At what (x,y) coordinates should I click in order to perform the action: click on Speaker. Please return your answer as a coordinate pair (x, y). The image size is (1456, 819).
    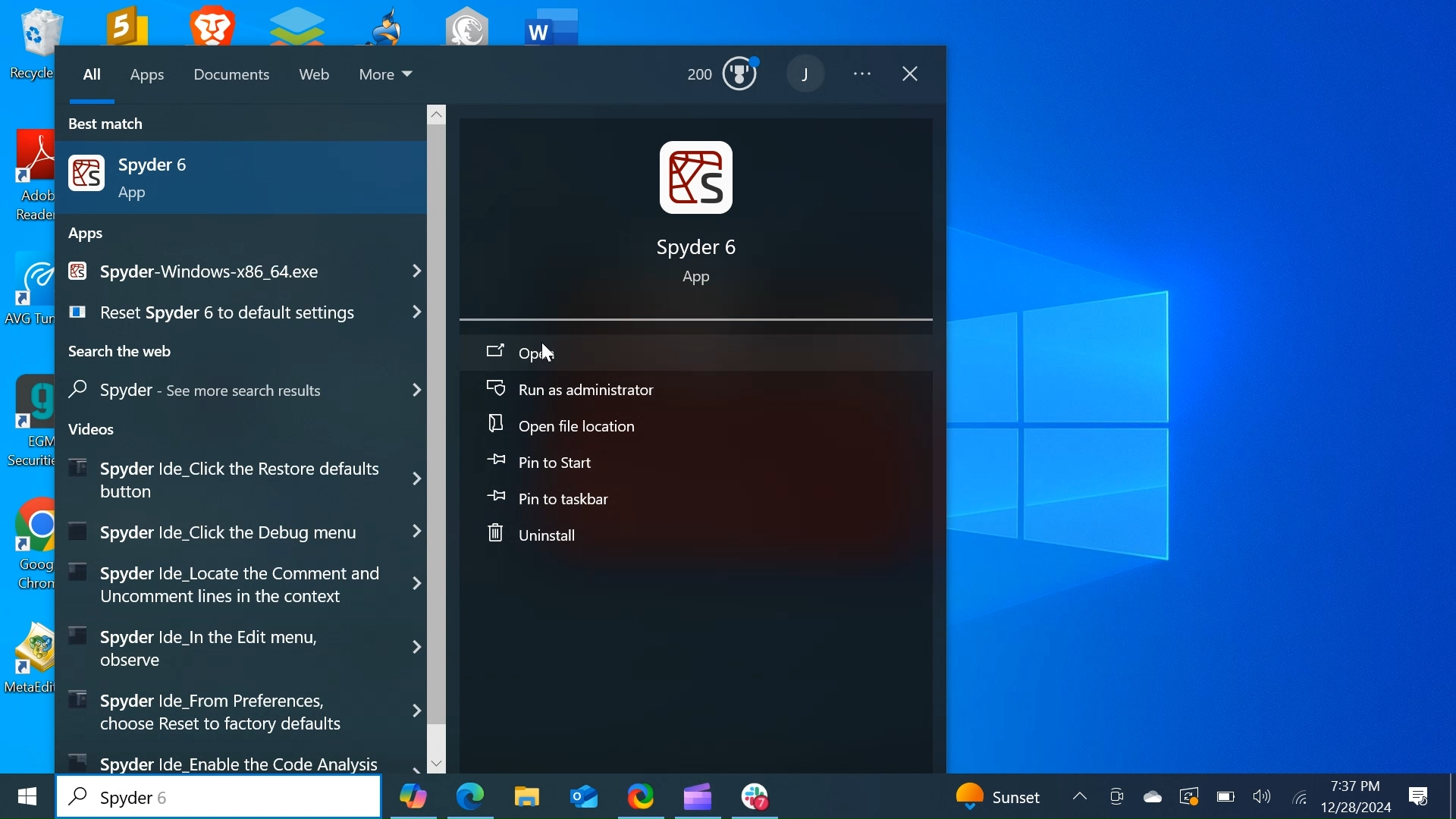
    Looking at the image, I should click on (1262, 799).